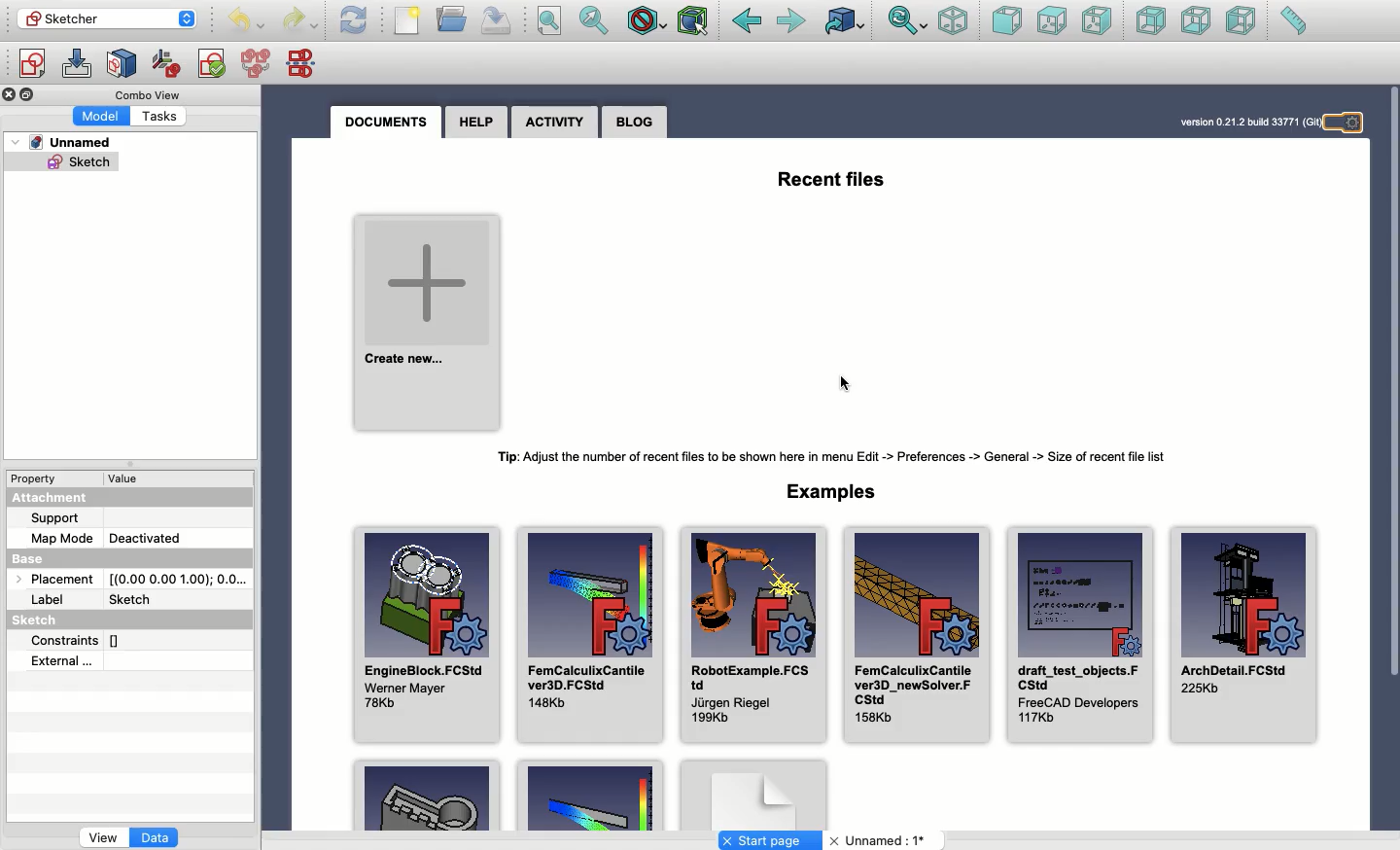 This screenshot has width=1400, height=850. I want to click on Linked to object, so click(843, 22).